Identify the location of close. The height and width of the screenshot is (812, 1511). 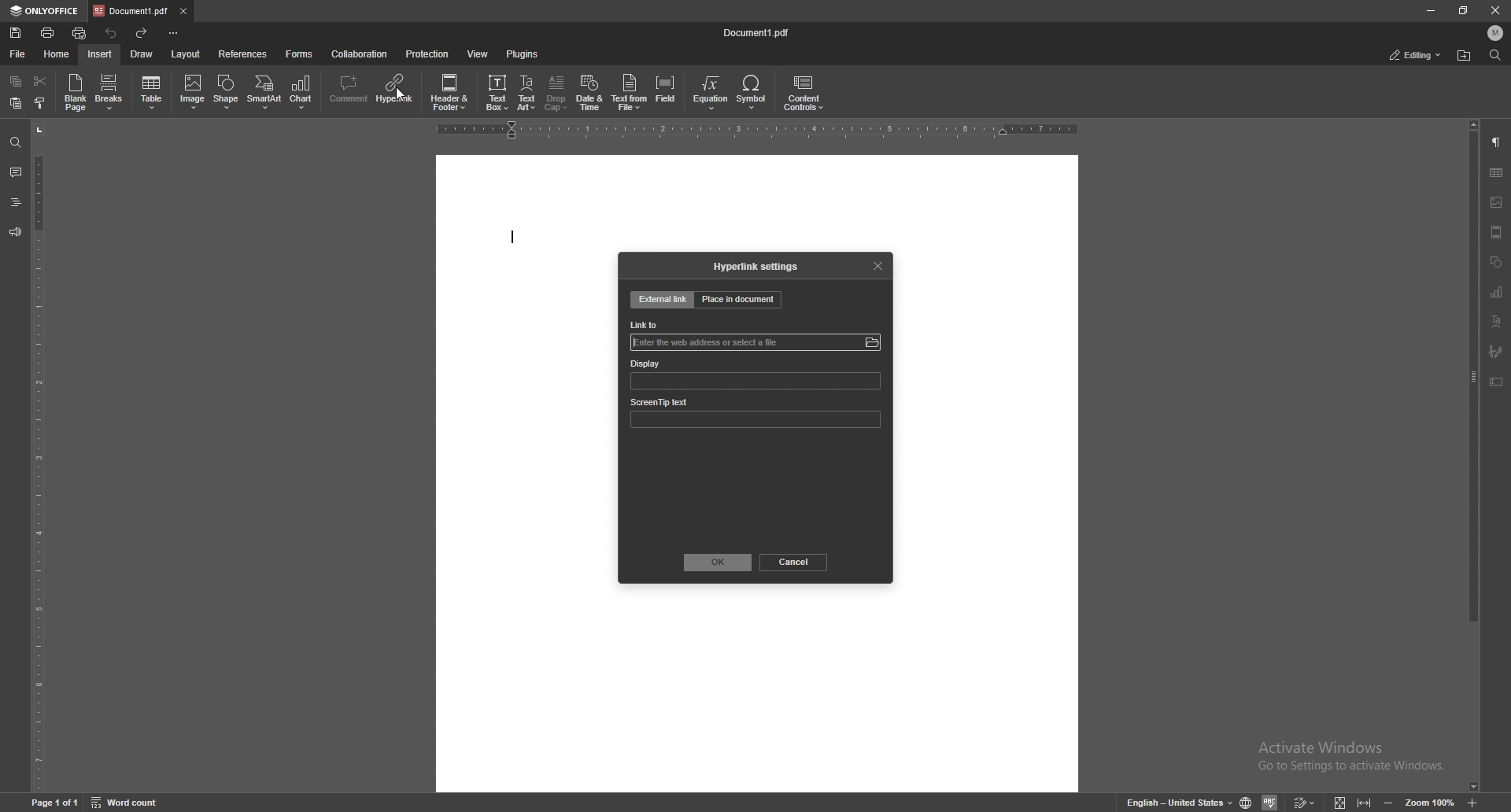
(1494, 10).